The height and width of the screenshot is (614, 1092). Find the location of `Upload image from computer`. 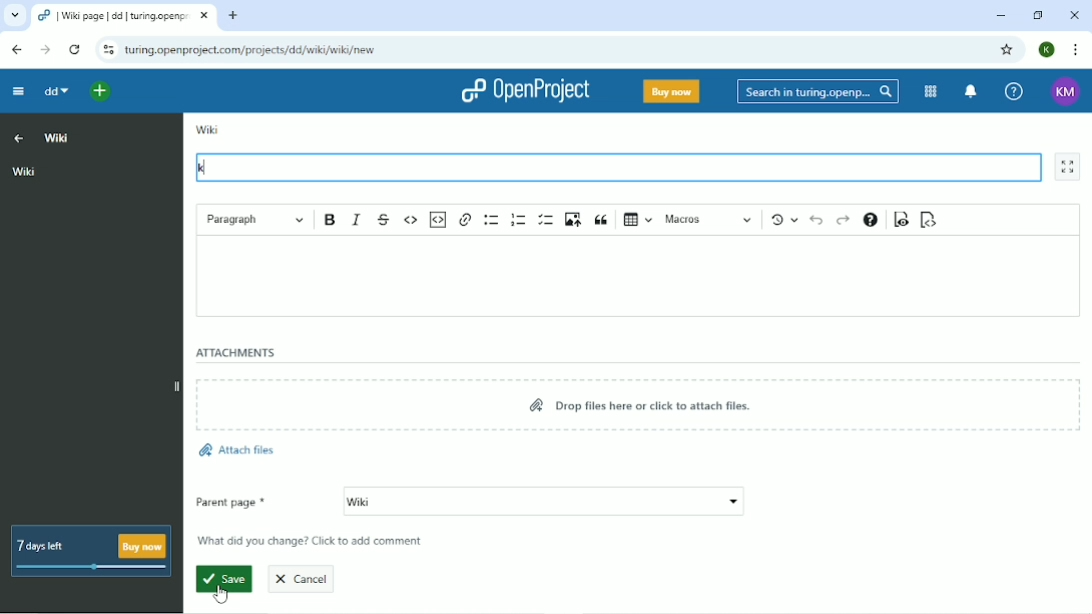

Upload image from computer is located at coordinates (572, 218).